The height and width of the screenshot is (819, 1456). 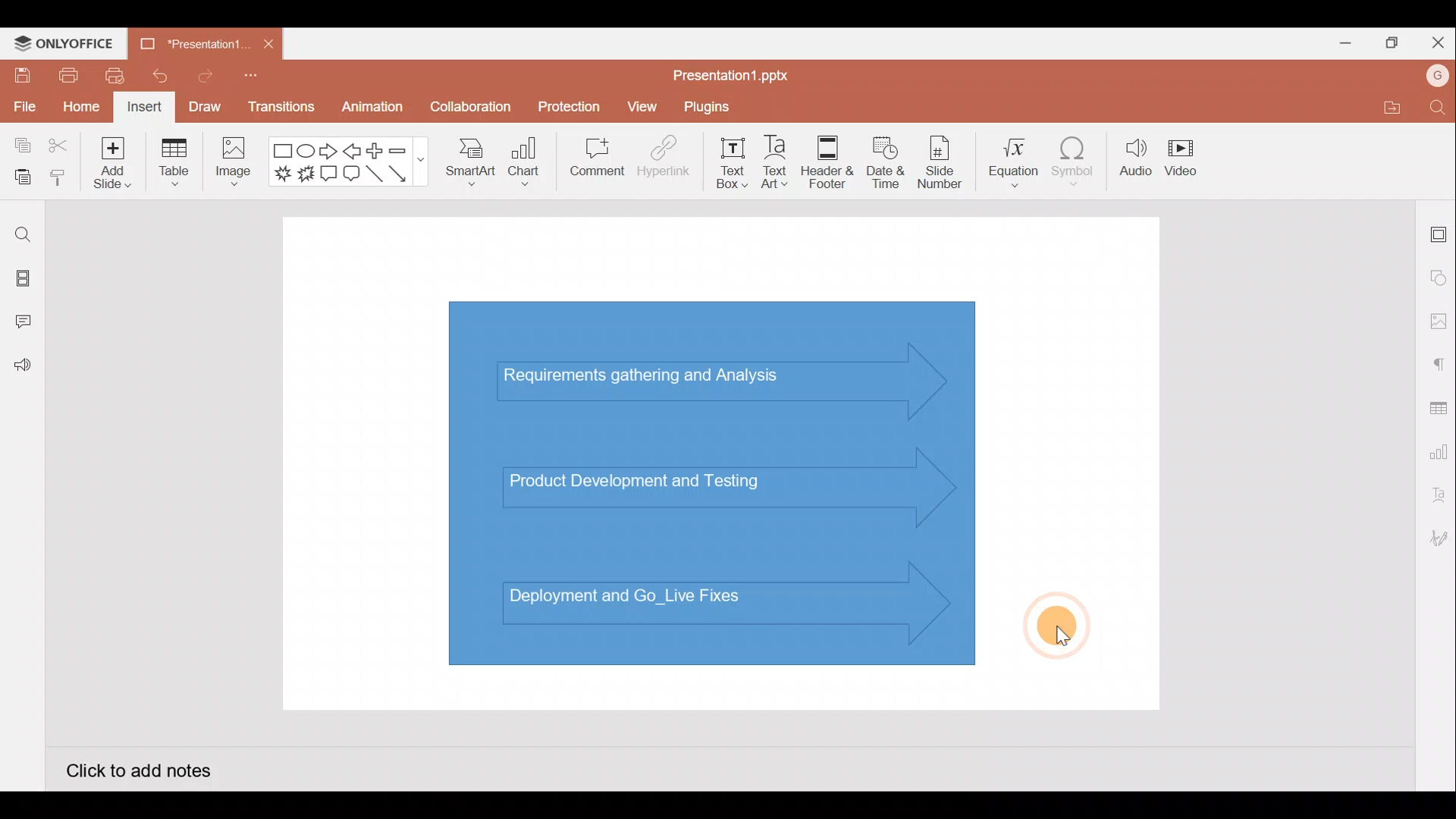 What do you see at coordinates (1435, 39) in the screenshot?
I see `Close` at bounding box center [1435, 39].